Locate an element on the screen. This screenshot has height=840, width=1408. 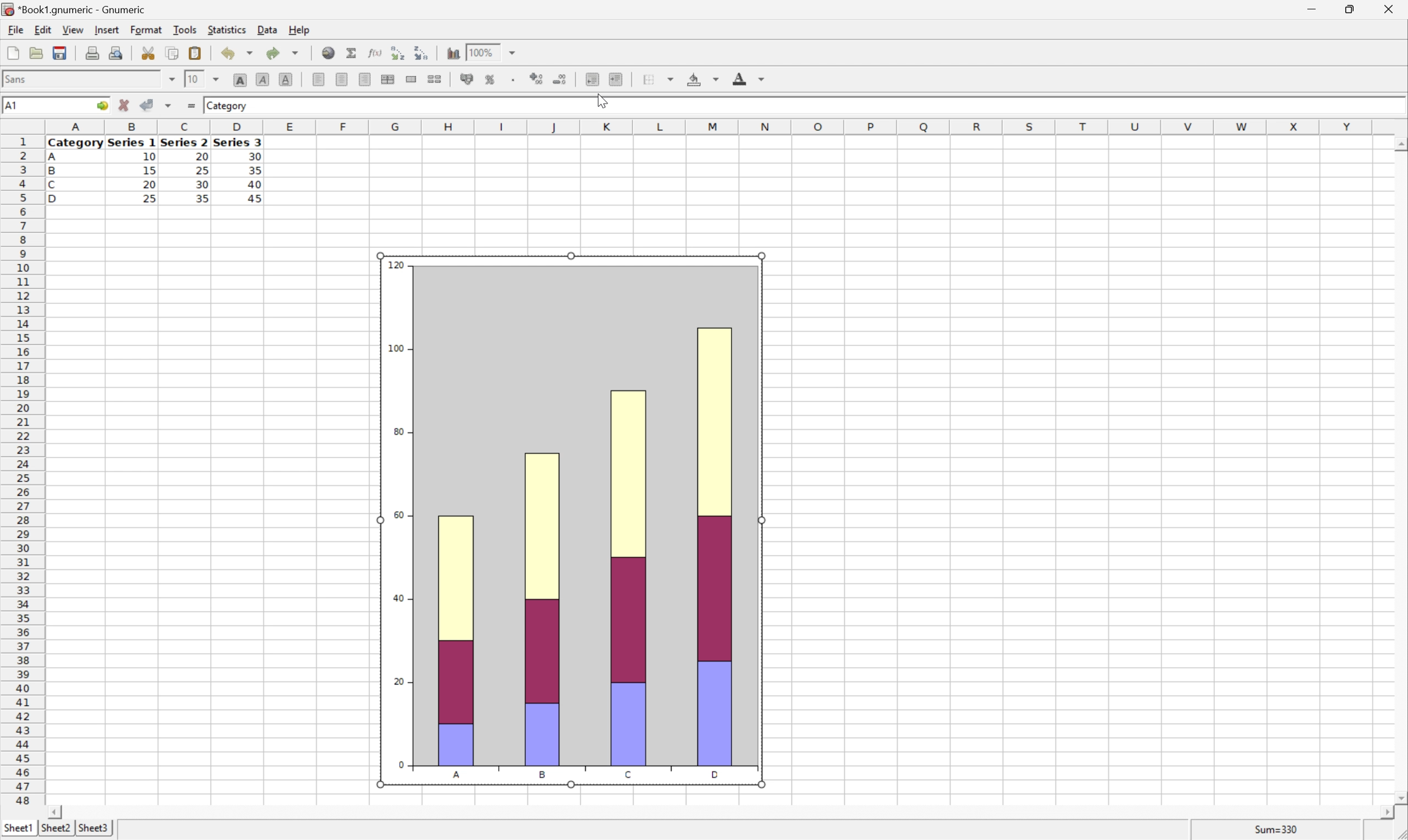
Sum in current cell is located at coordinates (353, 53).